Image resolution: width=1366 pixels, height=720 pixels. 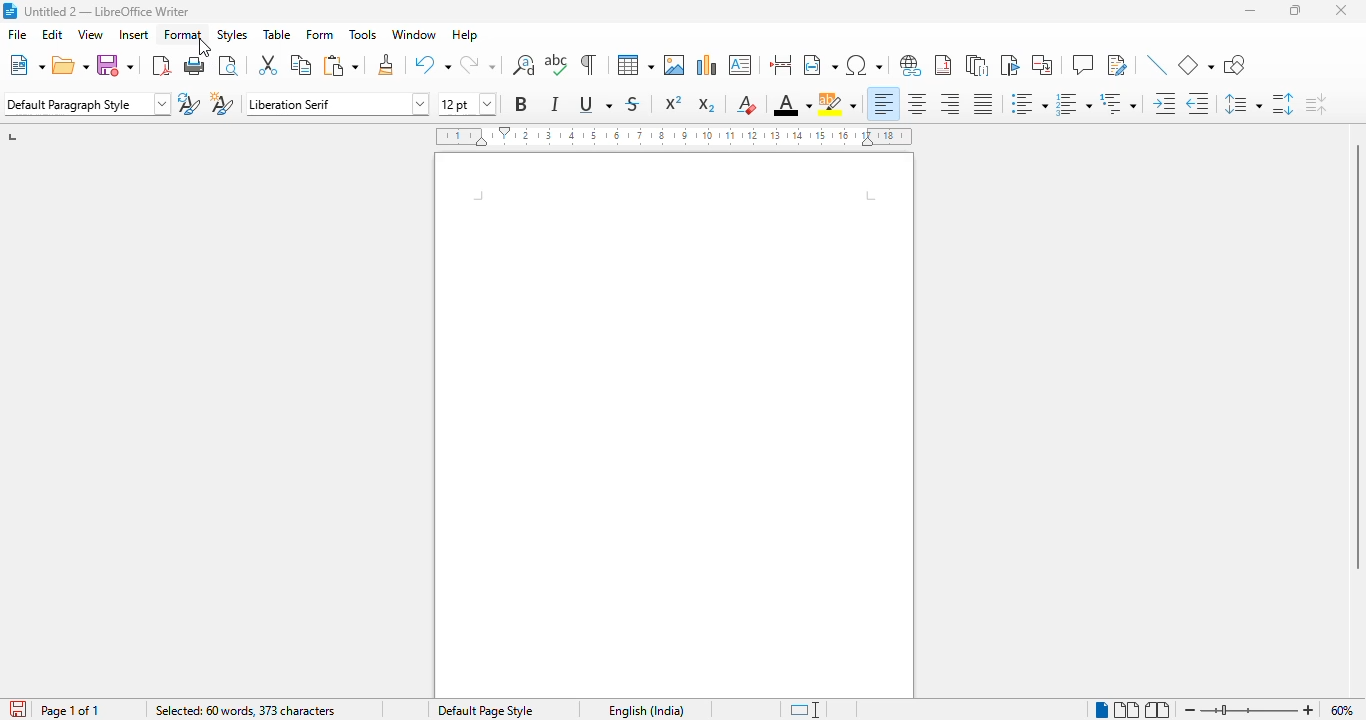 What do you see at coordinates (1126, 709) in the screenshot?
I see `multi-page view` at bounding box center [1126, 709].